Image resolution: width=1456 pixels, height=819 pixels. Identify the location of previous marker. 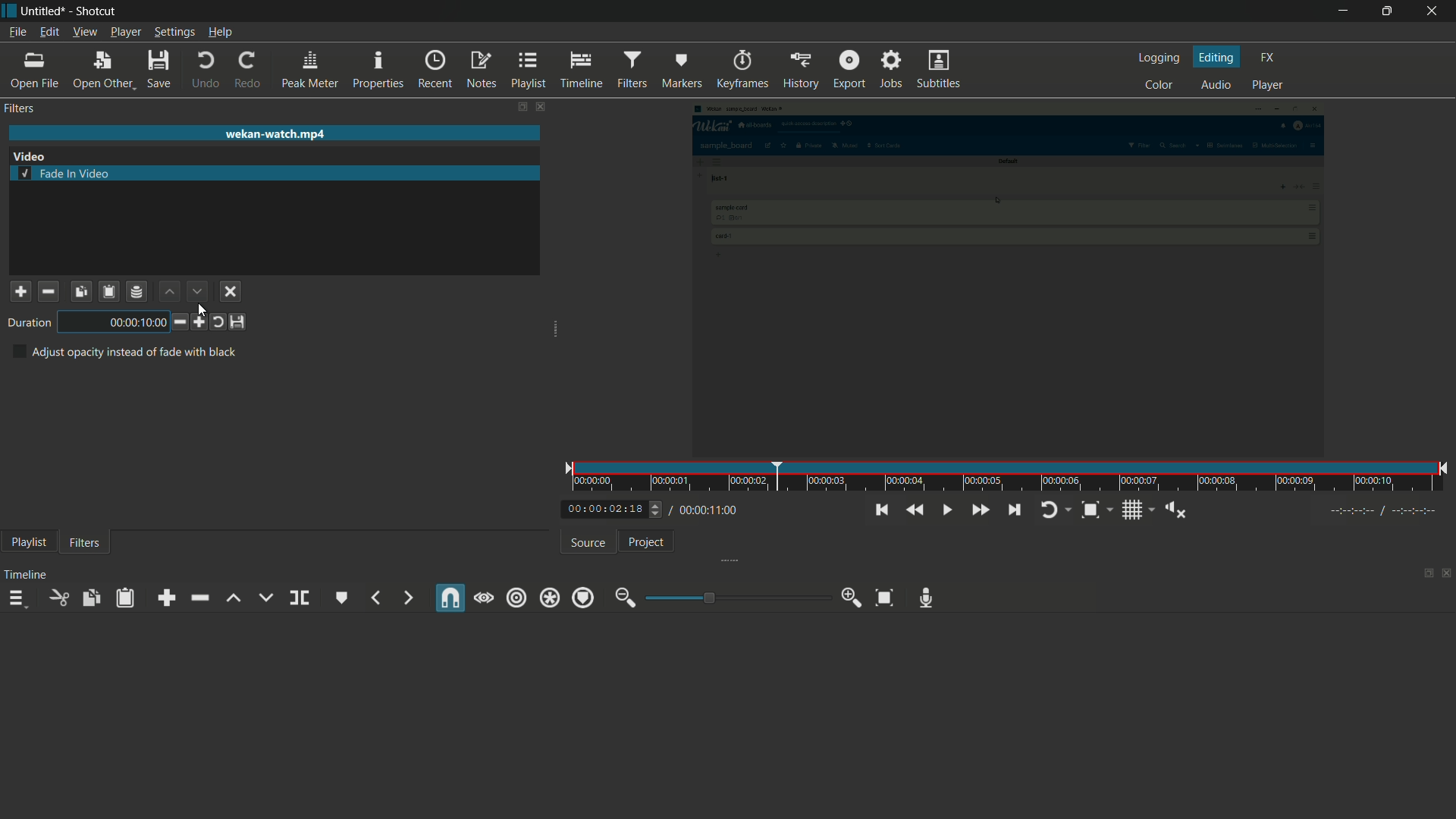
(377, 598).